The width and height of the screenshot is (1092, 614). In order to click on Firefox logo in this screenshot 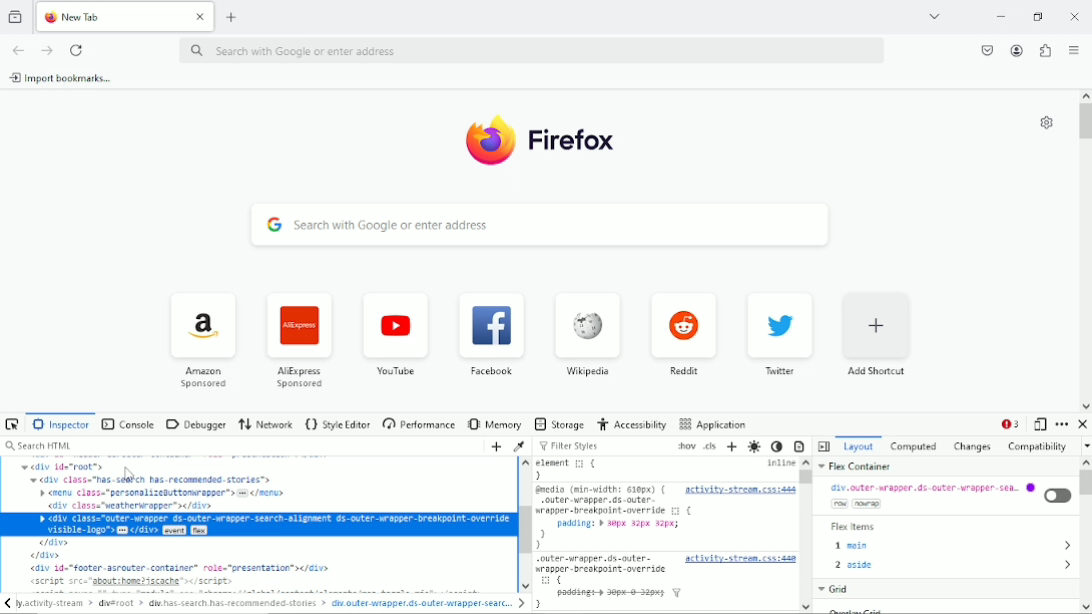, I will do `click(485, 143)`.